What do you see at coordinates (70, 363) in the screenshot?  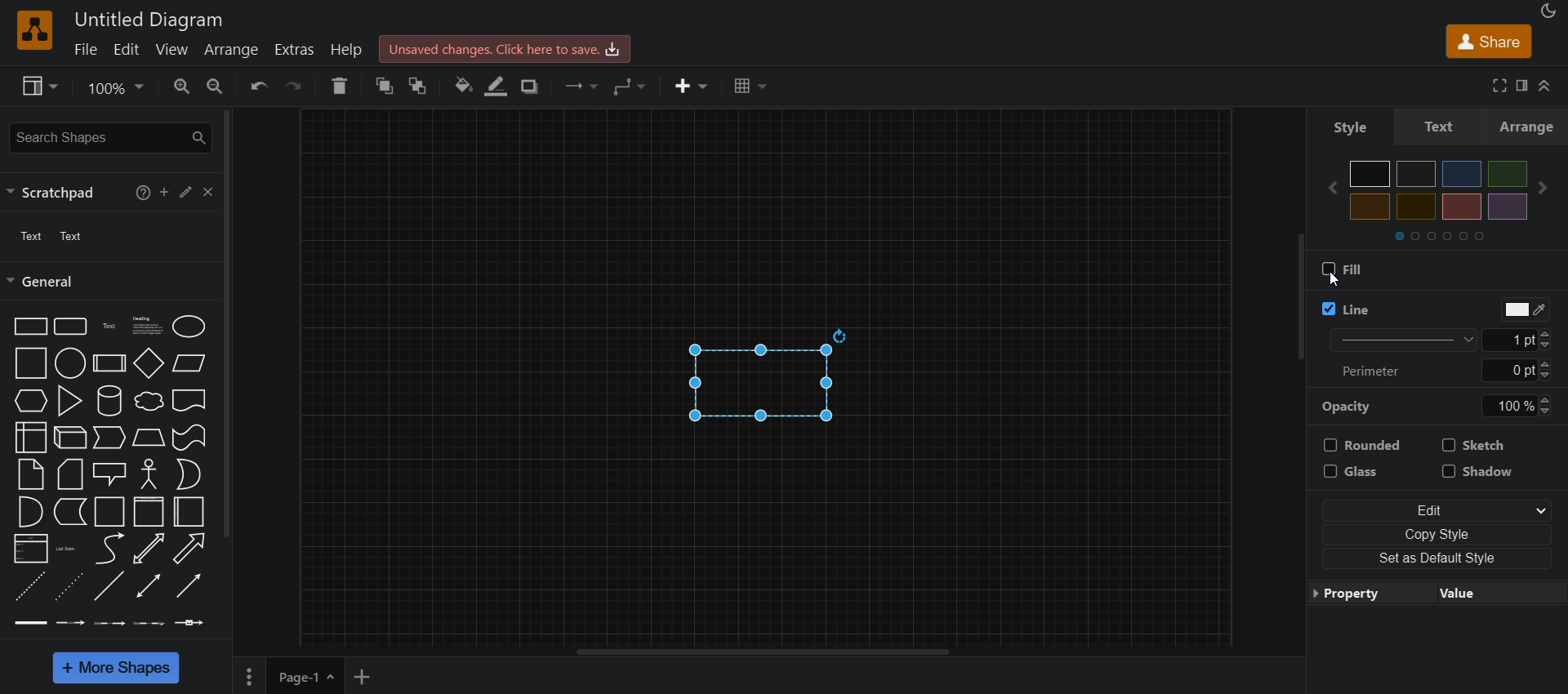 I see `circle` at bounding box center [70, 363].